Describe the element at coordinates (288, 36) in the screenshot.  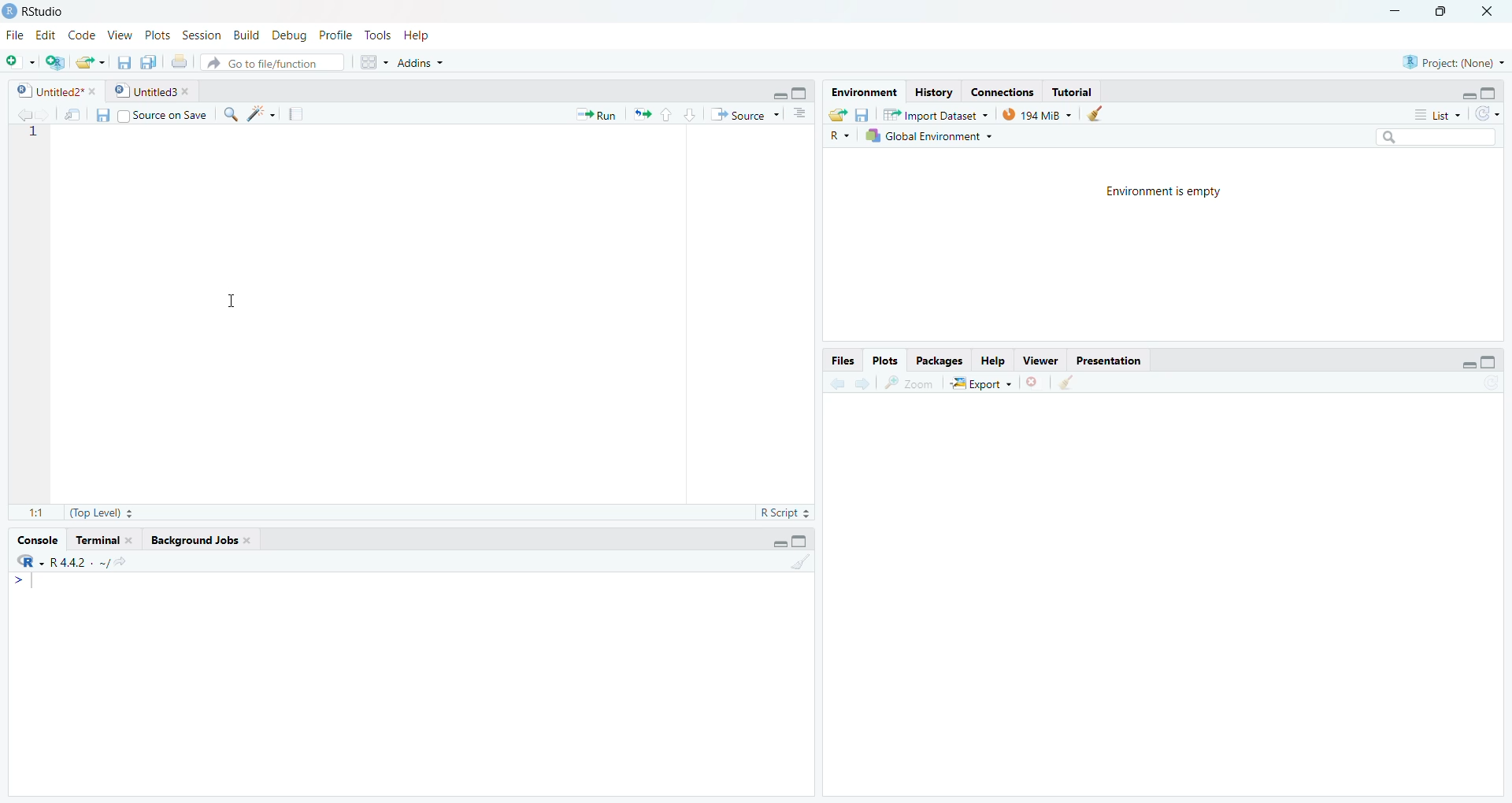
I see `Debug` at that location.